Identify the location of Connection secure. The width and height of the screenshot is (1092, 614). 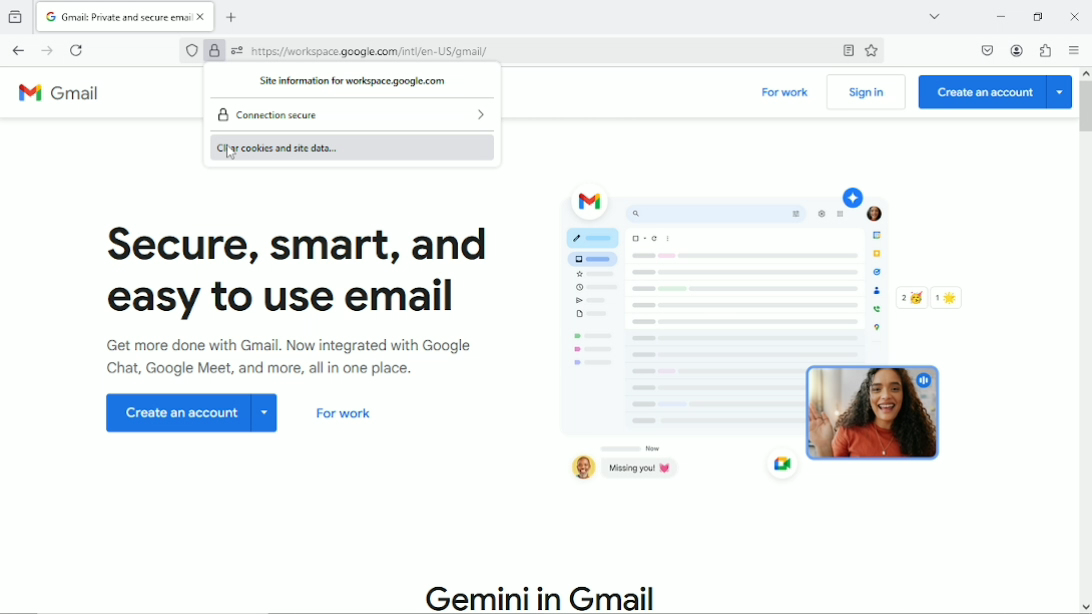
(273, 115).